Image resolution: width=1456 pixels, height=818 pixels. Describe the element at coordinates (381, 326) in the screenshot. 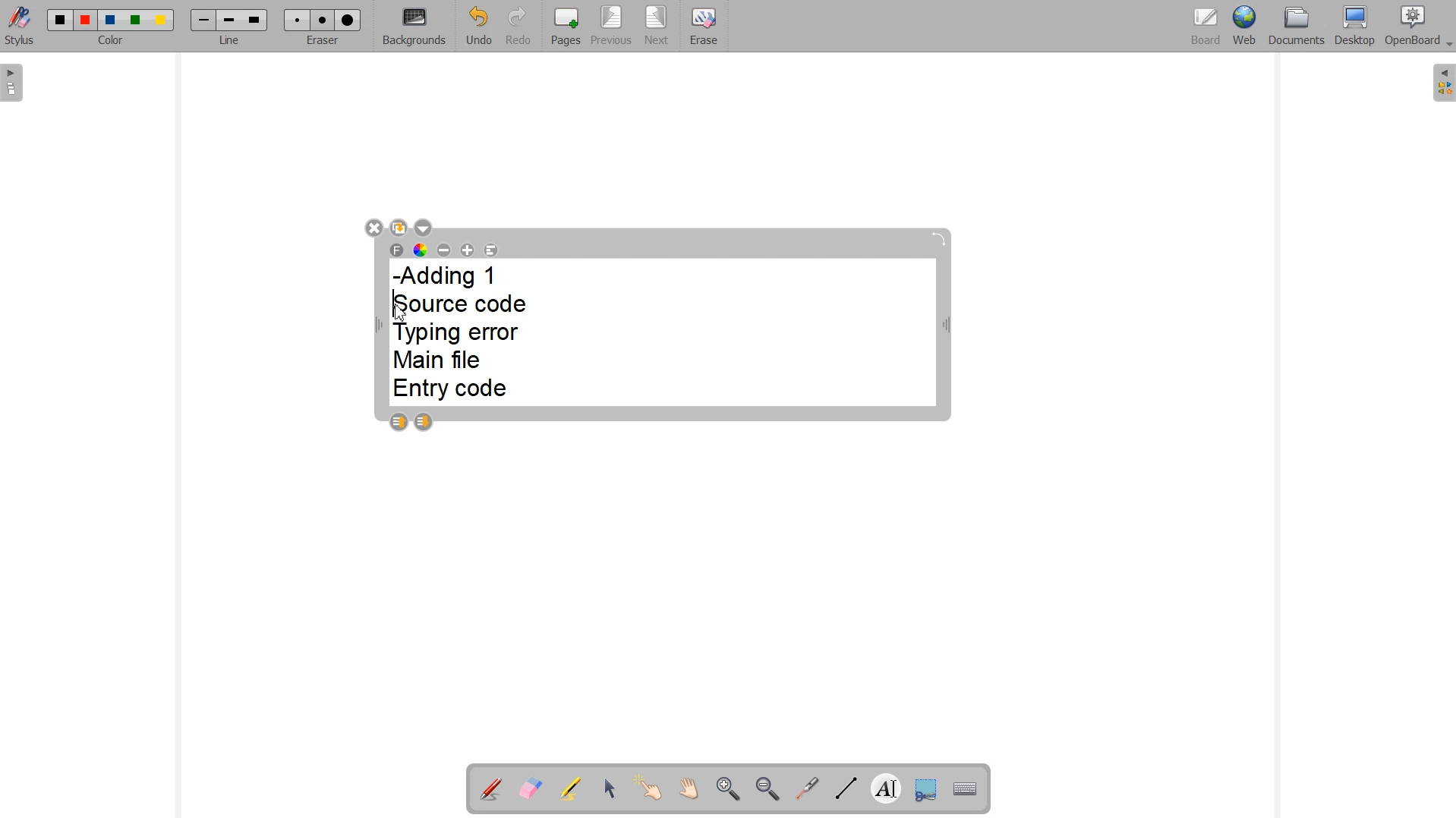

I see `Width Adjustable` at that location.